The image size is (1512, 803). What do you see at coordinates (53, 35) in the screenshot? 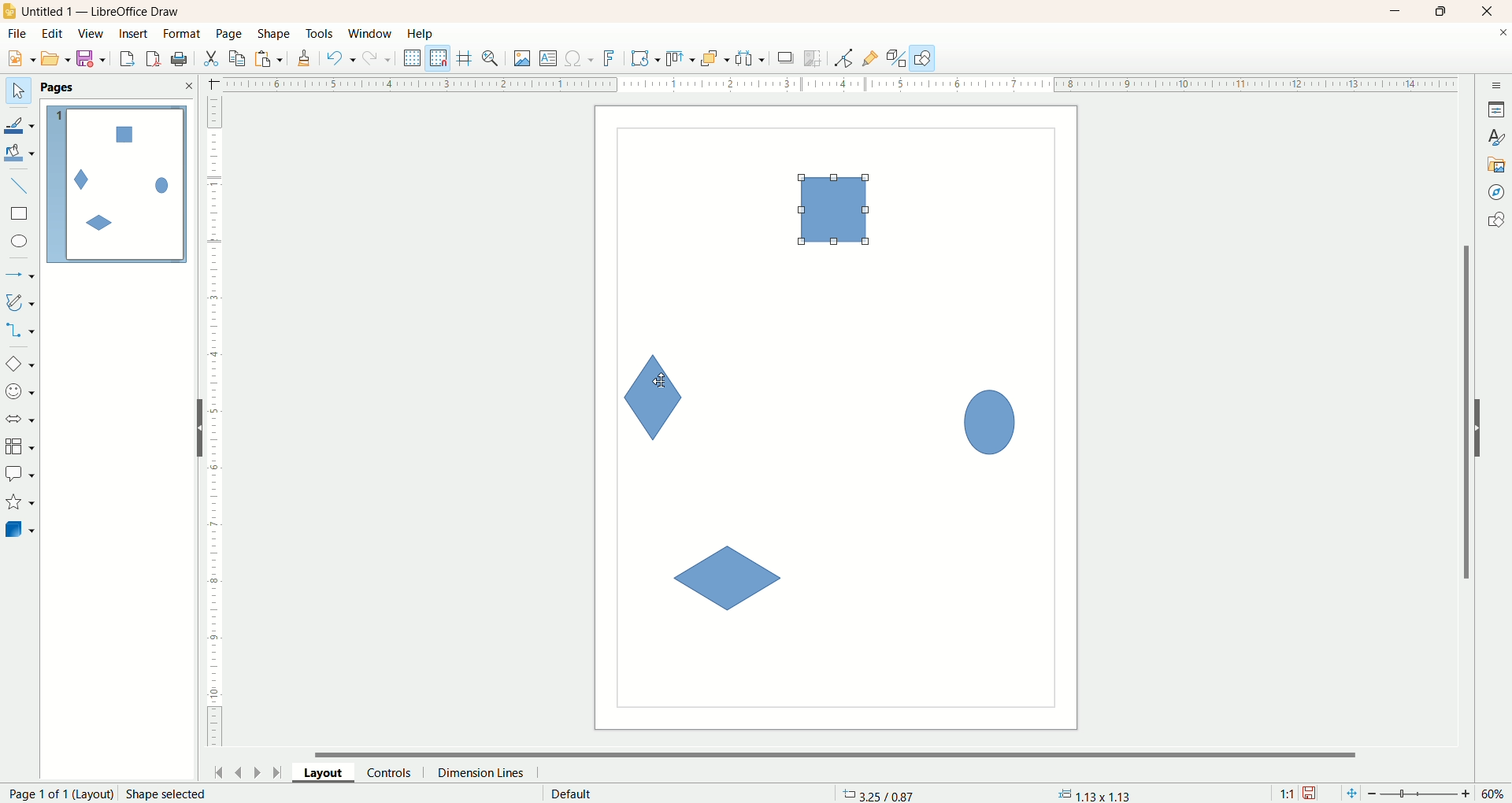
I see `edit` at bounding box center [53, 35].